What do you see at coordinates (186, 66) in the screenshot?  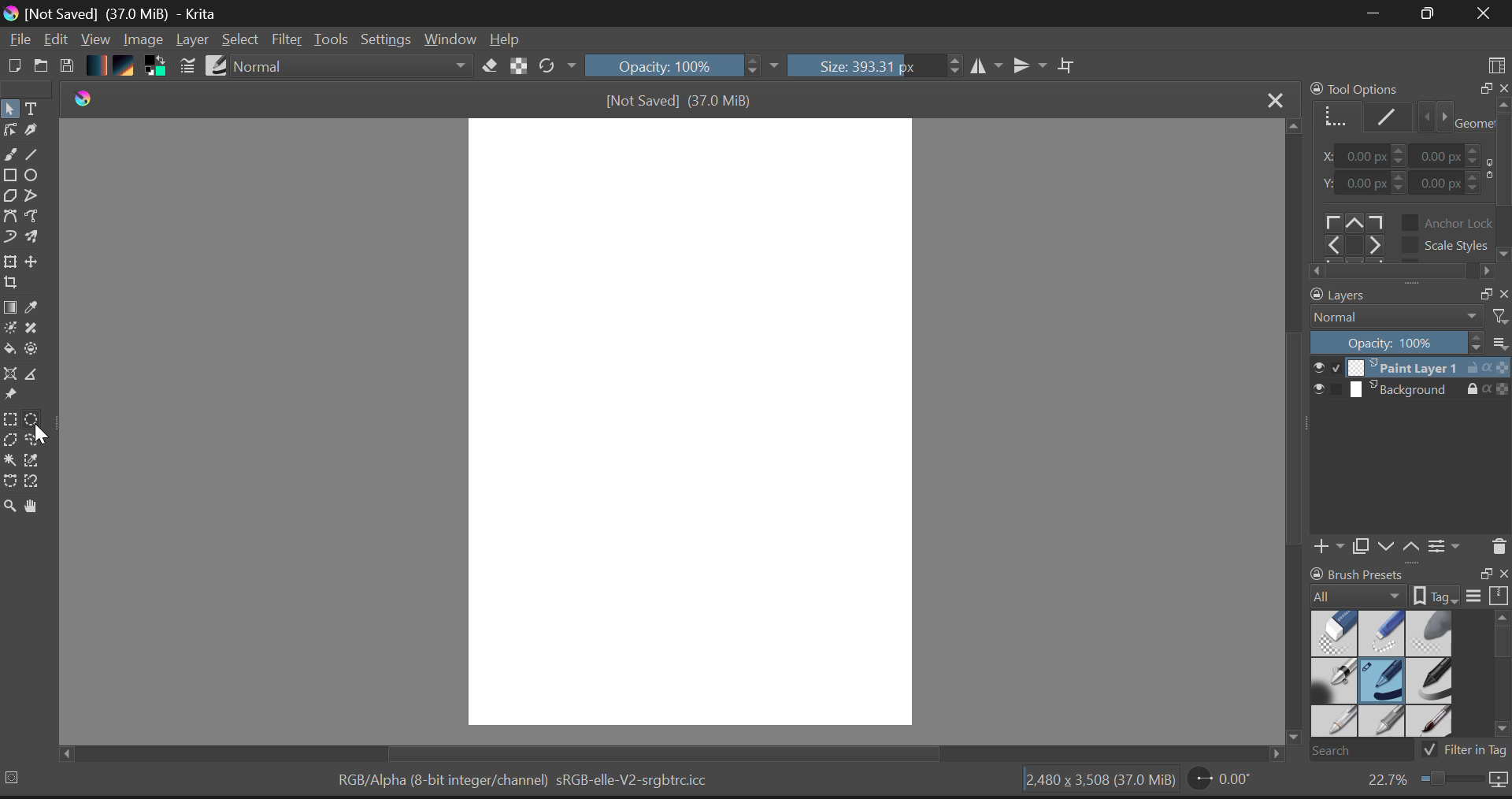 I see `Brush Stroke Settings` at bounding box center [186, 66].